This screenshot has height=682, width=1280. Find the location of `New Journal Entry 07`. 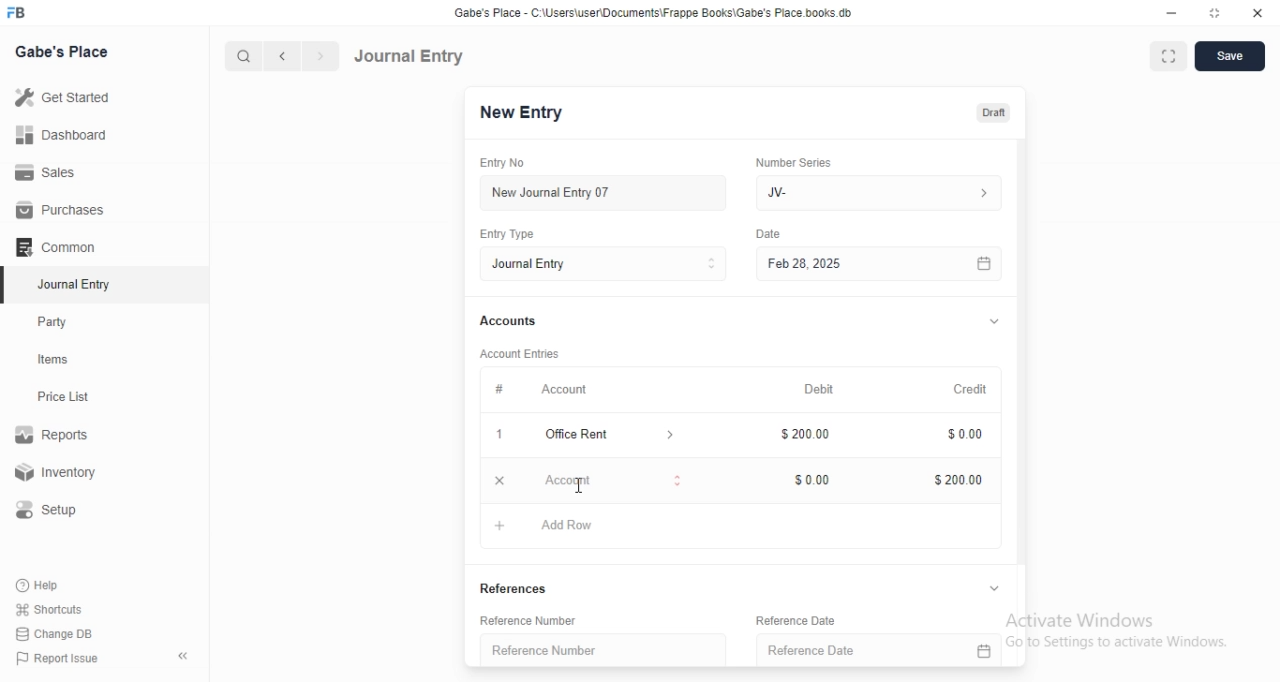

New Journal Entry 07 is located at coordinates (550, 193).